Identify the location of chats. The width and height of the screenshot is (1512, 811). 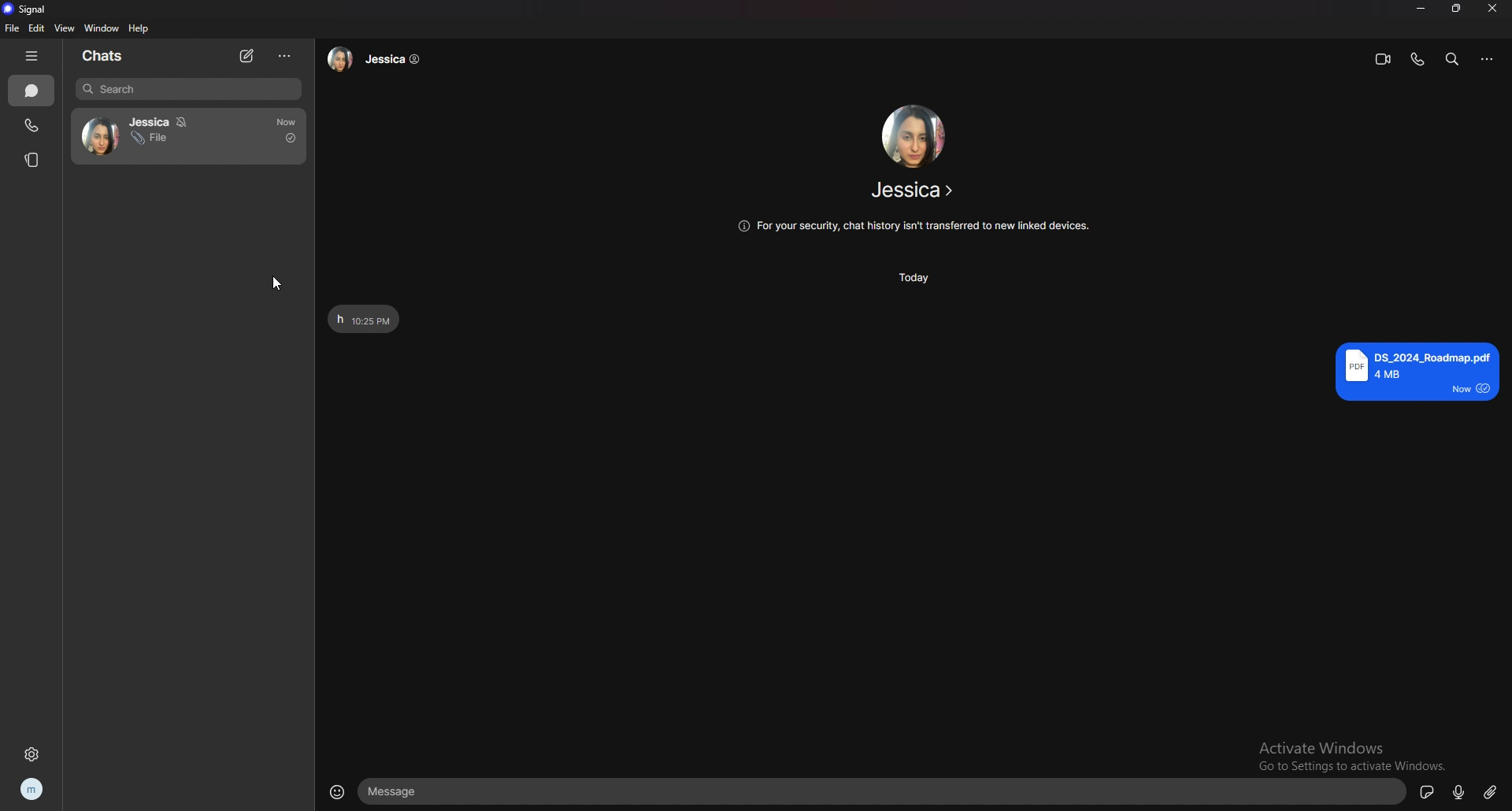
(31, 91).